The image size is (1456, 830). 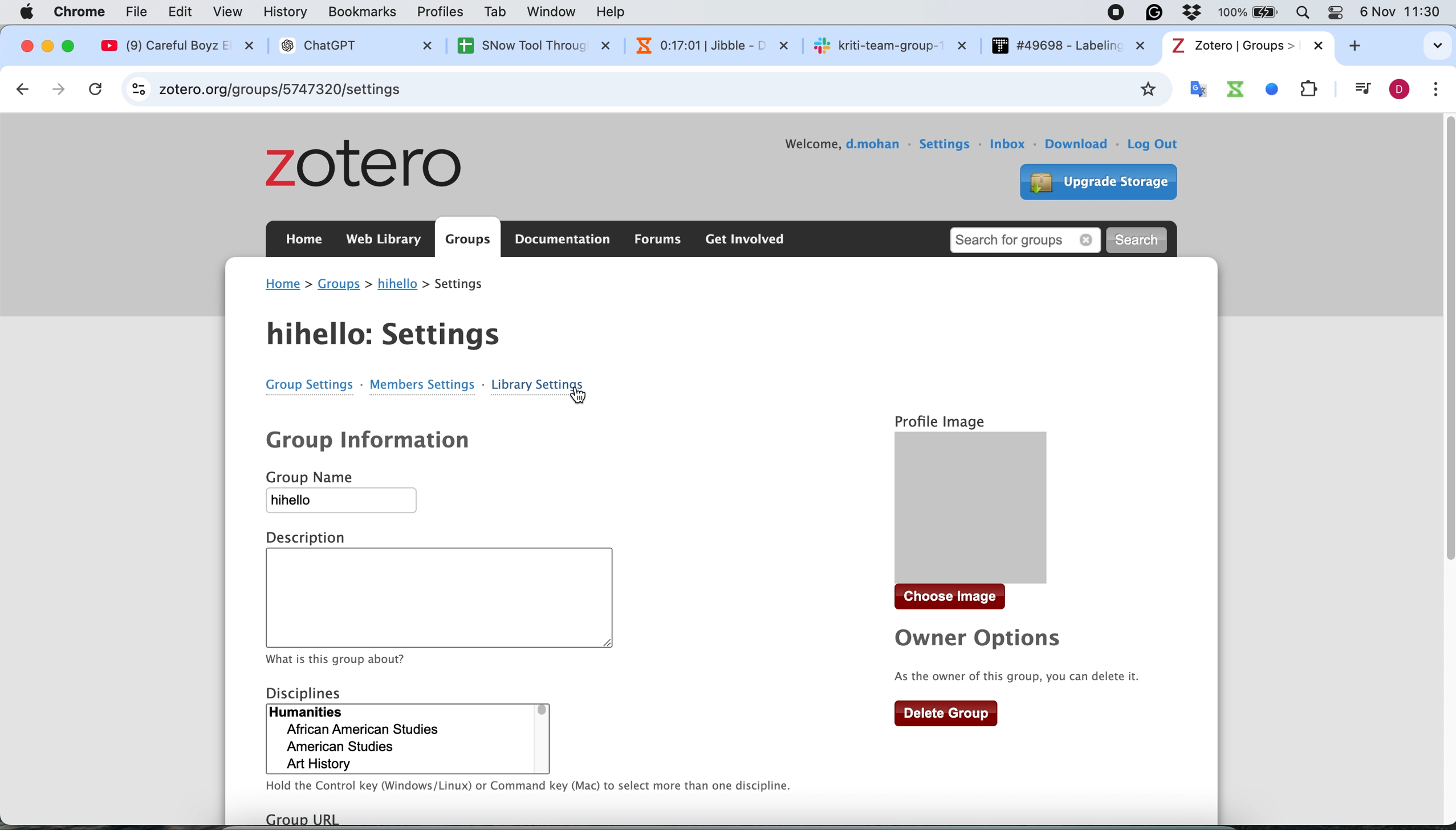 What do you see at coordinates (140, 88) in the screenshot?
I see `site information` at bounding box center [140, 88].